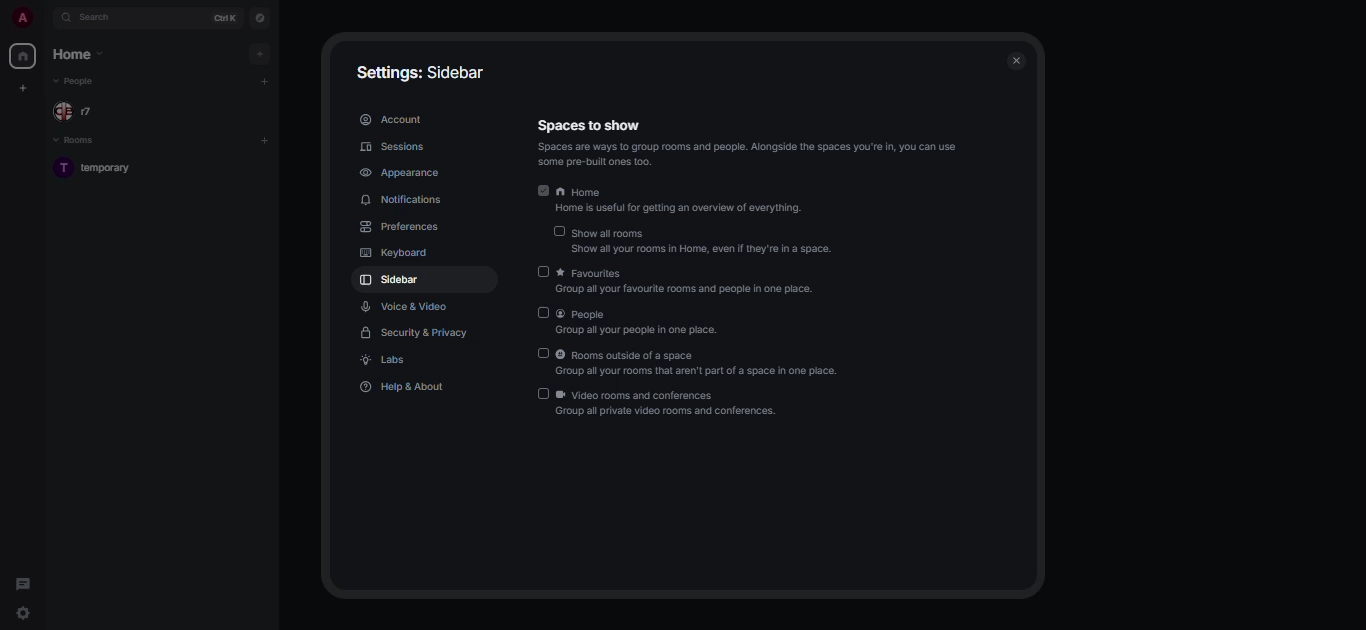 The image size is (1366, 630). What do you see at coordinates (701, 372) in the screenshot?
I see `Group all your rooms that aren't part of a space in one place.` at bounding box center [701, 372].